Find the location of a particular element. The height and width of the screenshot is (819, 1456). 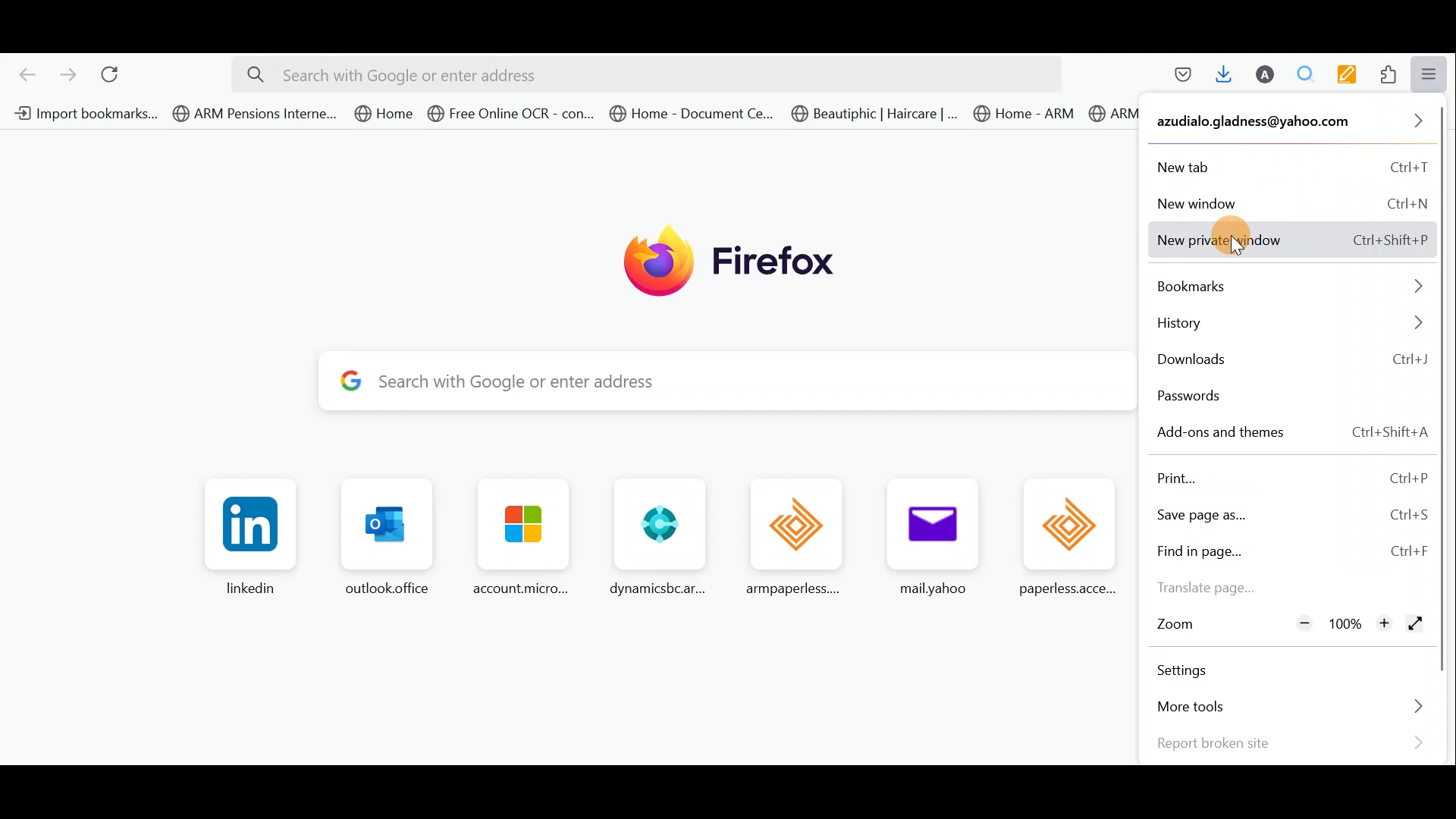

Zoom in is located at coordinates (1384, 625).